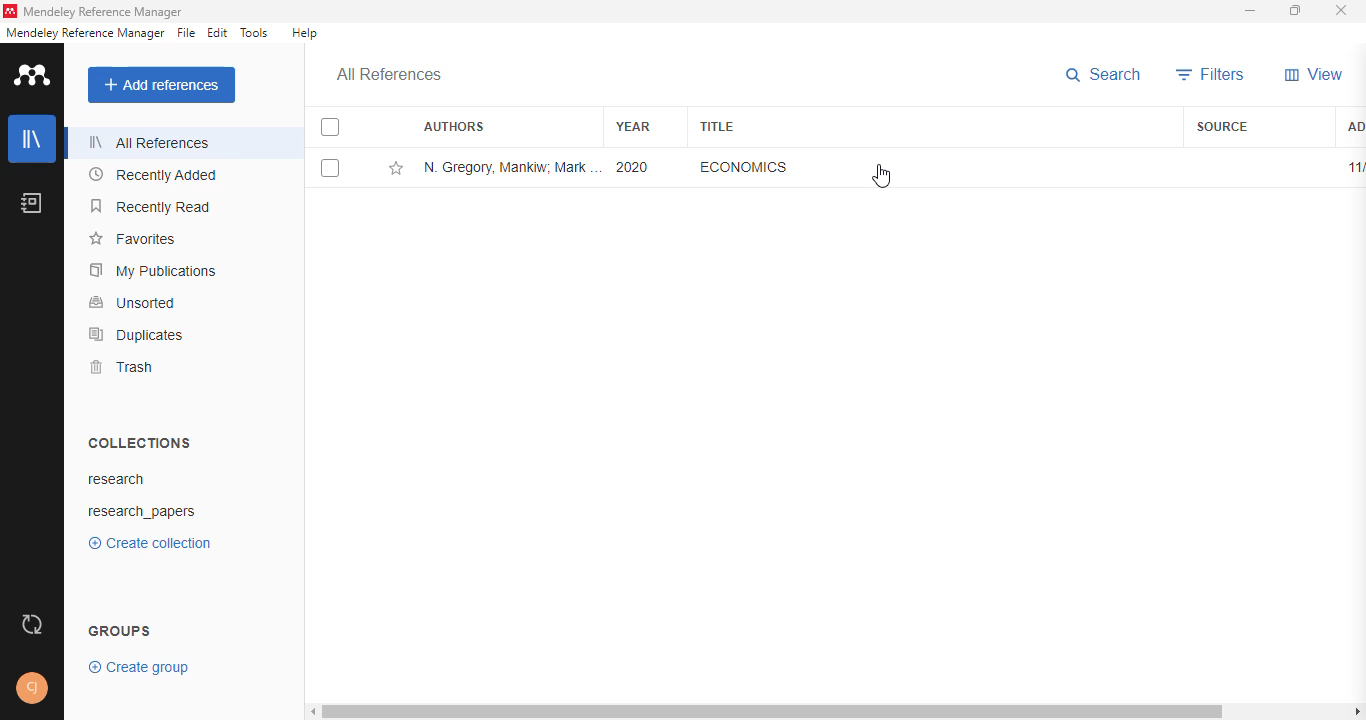 Image resolution: width=1366 pixels, height=720 pixels. I want to click on create group, so click(139, 668).